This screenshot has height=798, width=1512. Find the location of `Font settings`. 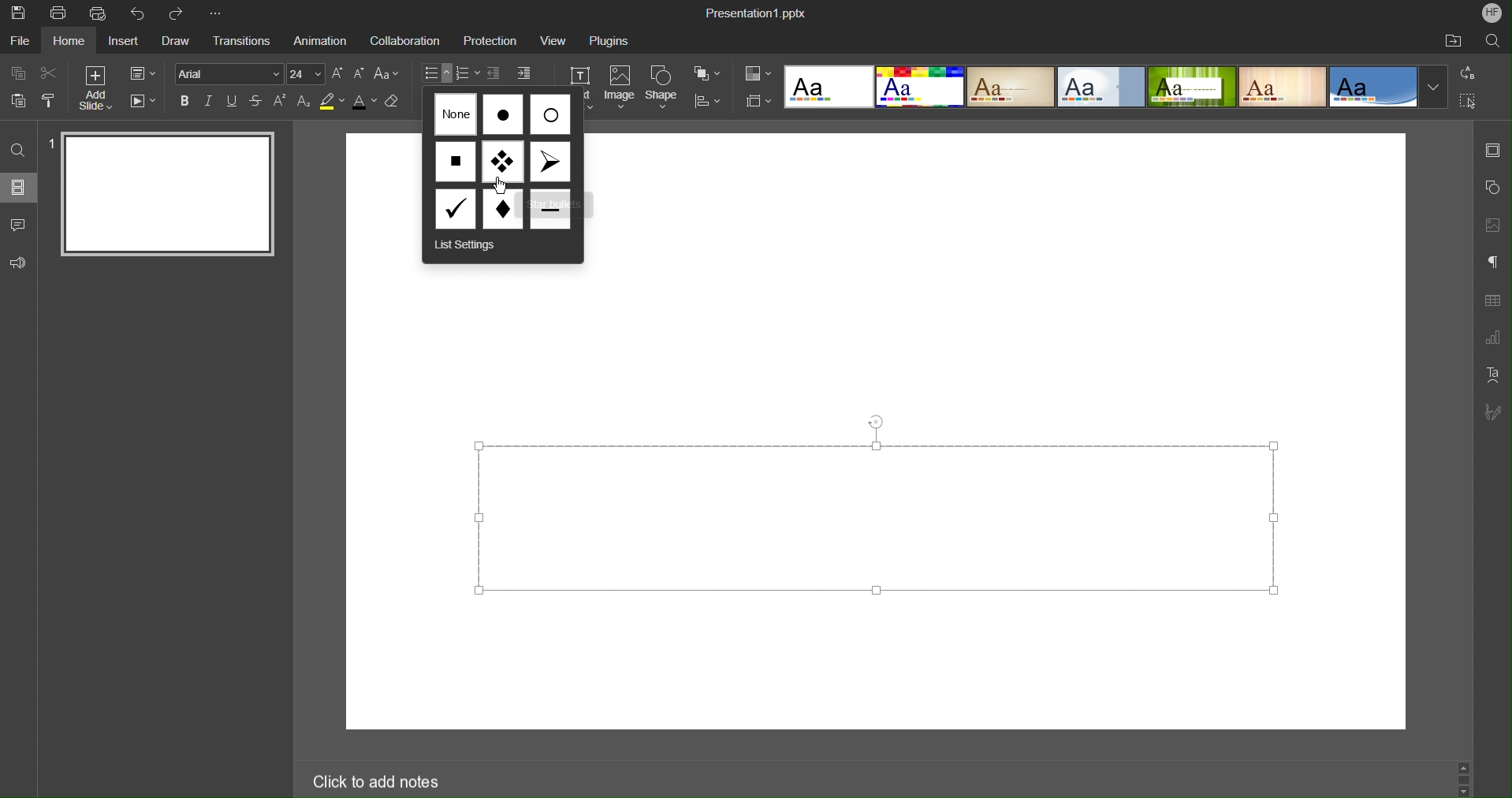

Font settings is located at coordinates (251, 73).